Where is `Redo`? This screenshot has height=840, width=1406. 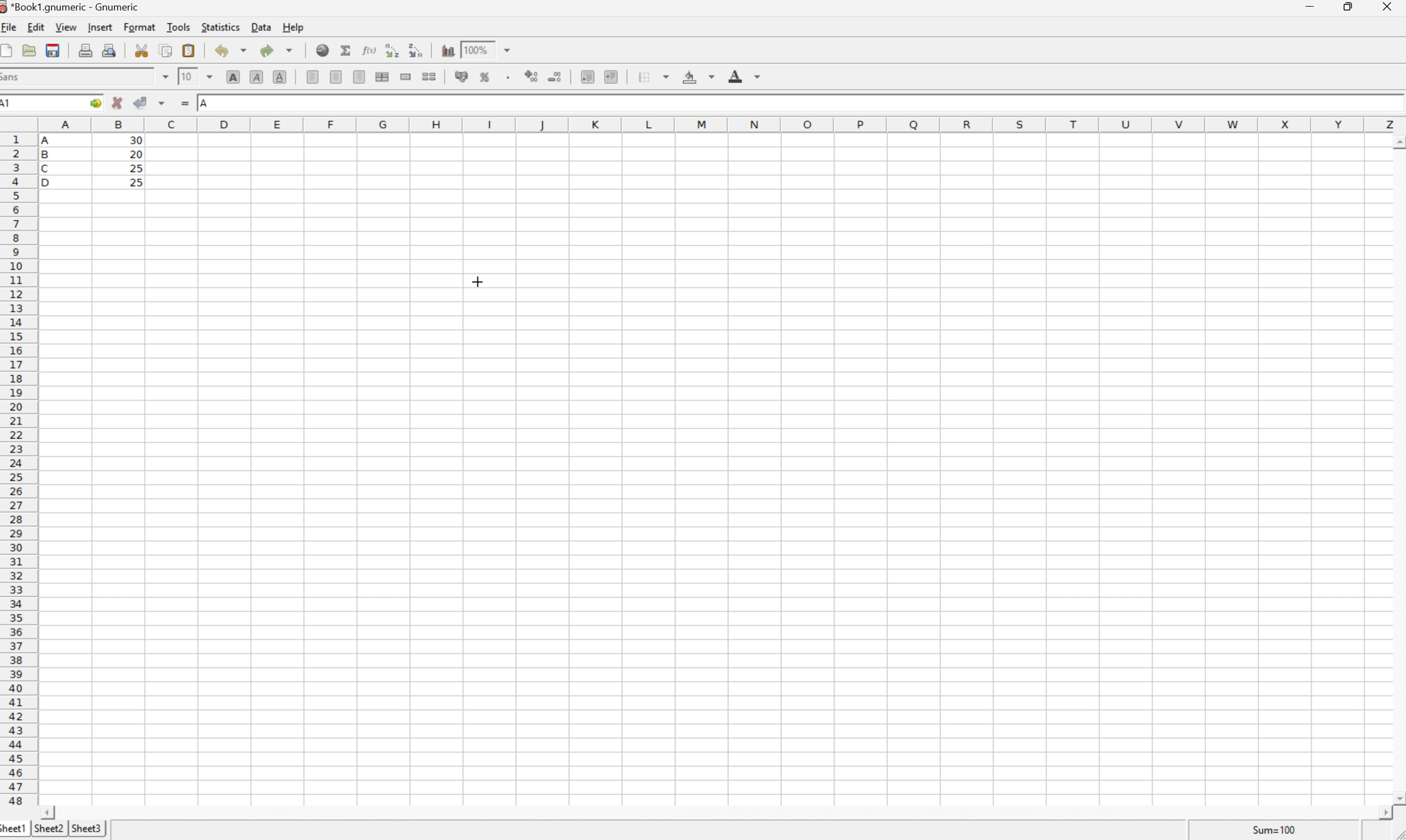 Redo is located at coordinates (275, 49).